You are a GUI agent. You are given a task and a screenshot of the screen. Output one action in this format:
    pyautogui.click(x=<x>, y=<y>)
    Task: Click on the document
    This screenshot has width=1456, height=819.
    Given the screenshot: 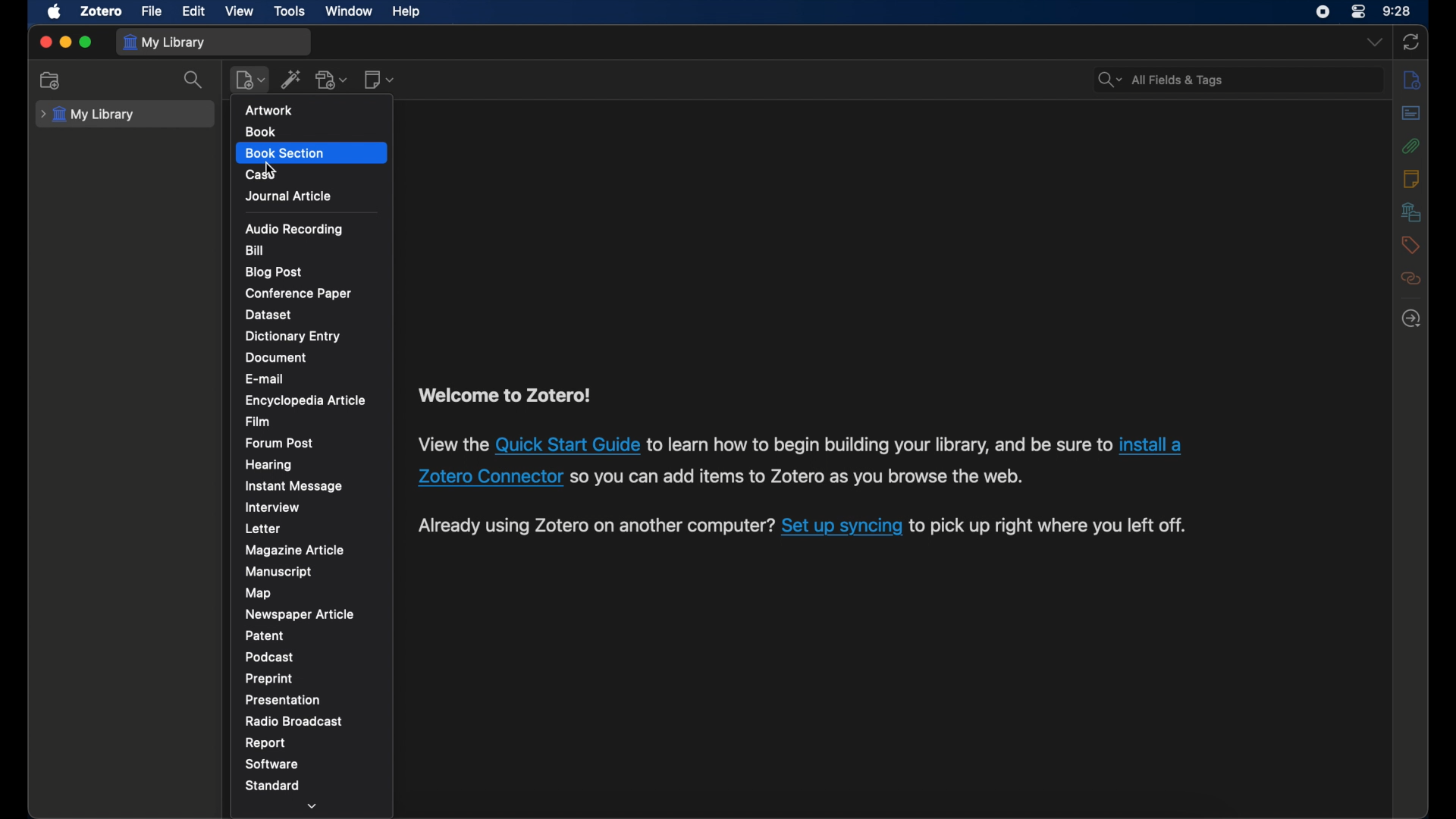 What is the action you would take?
    pyautogui.click(x=277, y=358)
    